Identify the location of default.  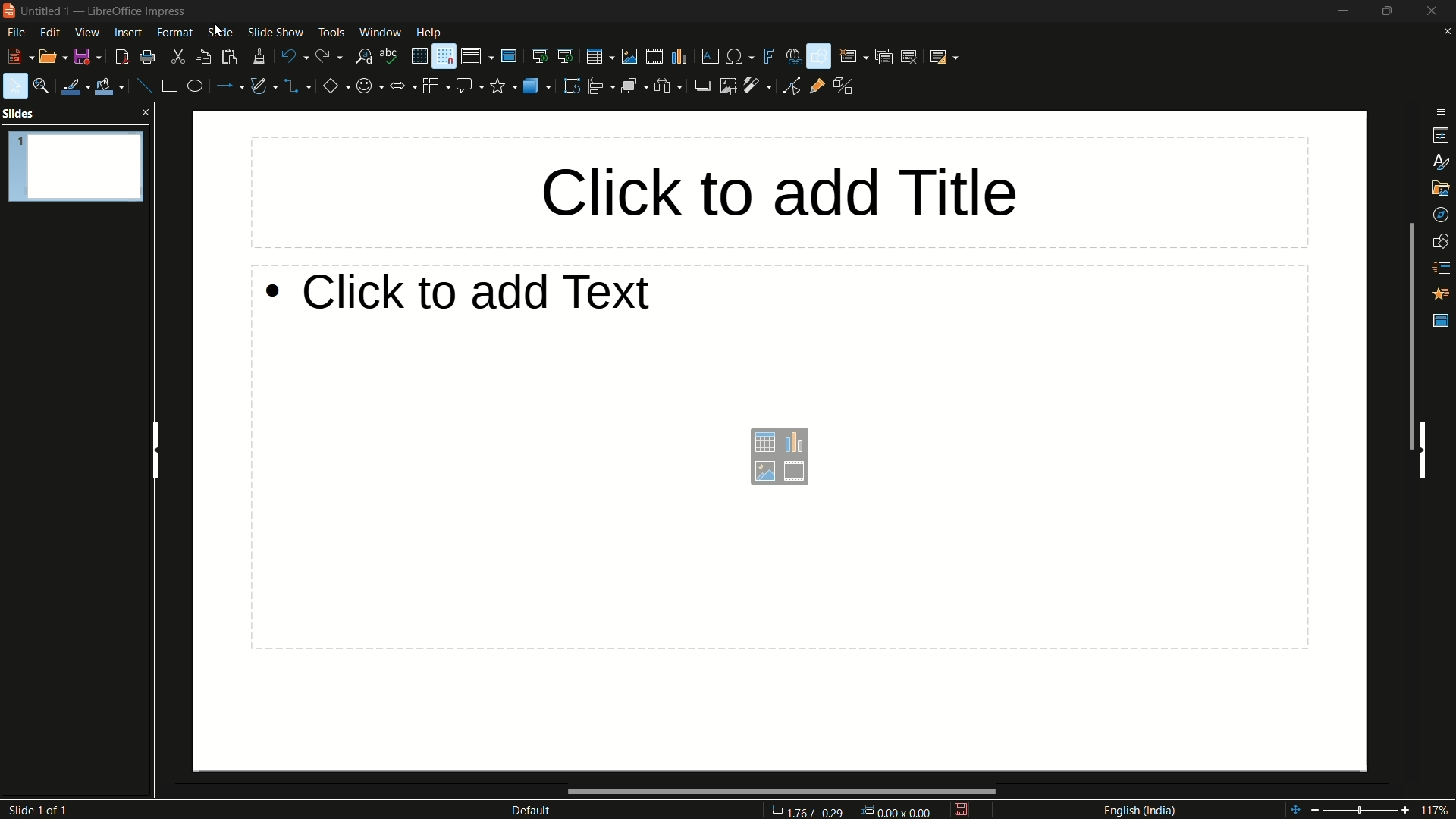
(533, 811).